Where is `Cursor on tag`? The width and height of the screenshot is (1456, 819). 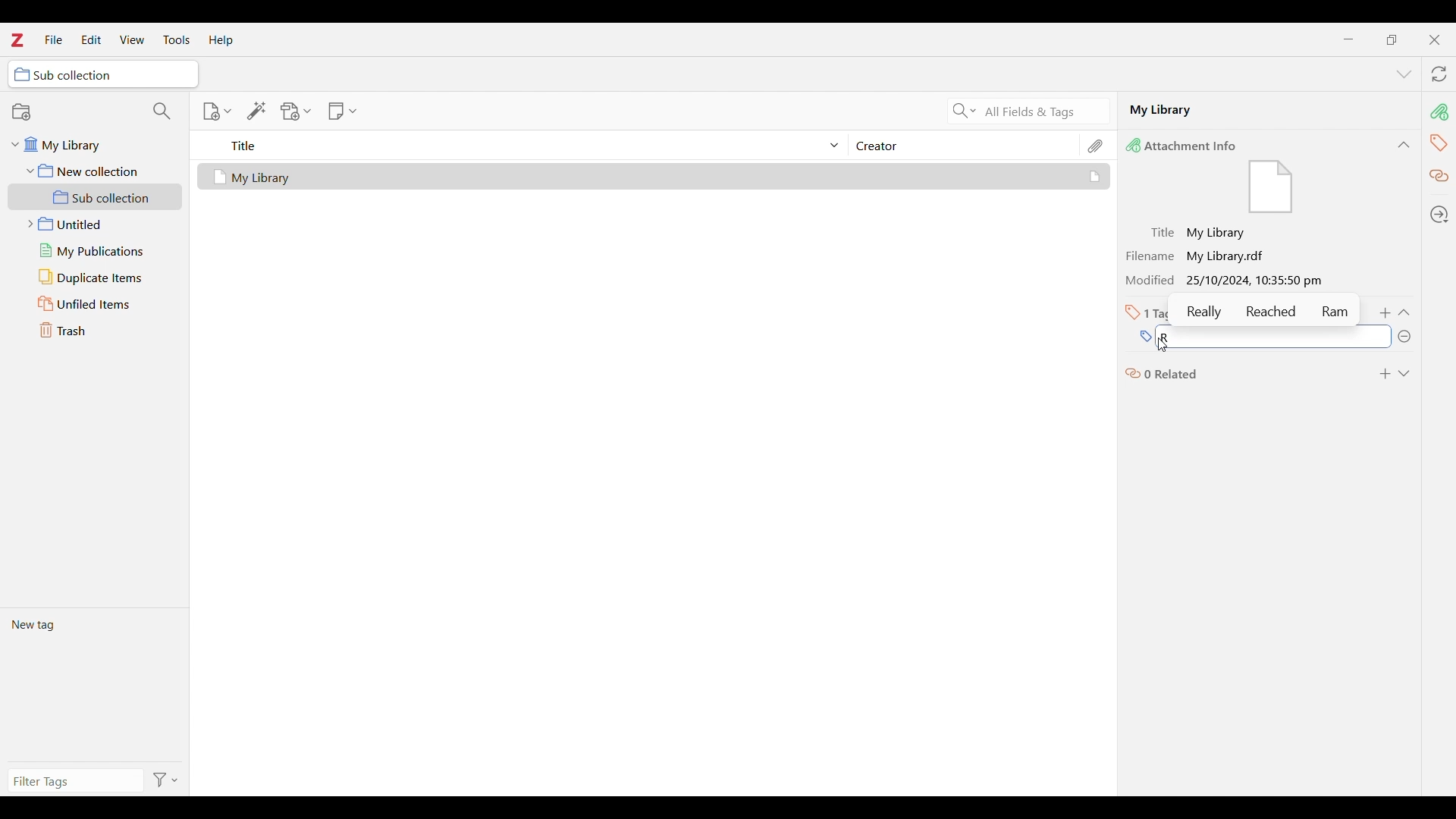
Cursor on tag is located at coordinates (1162, 346).